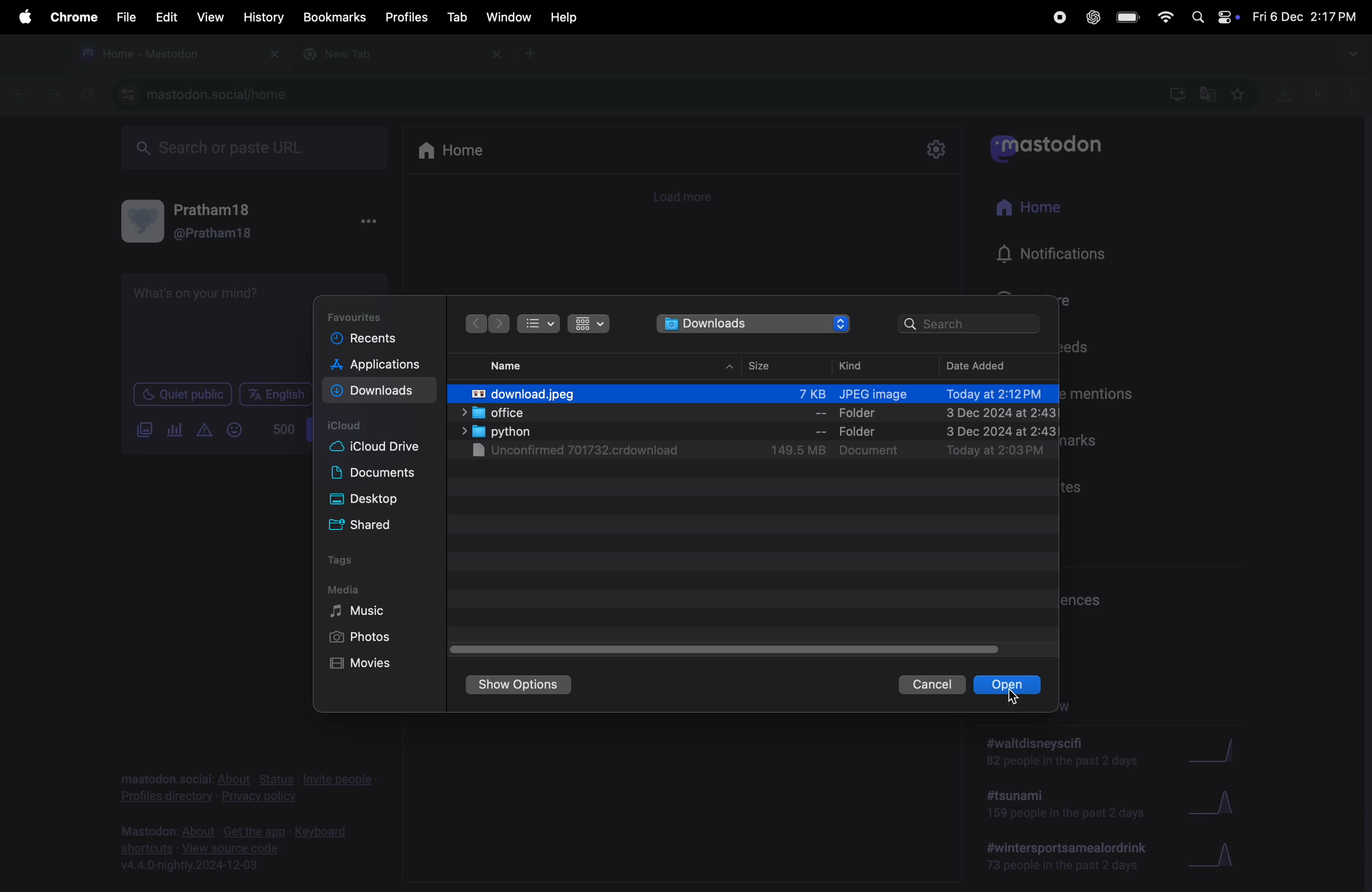 The image size is (1372, 892). I want to click on movies, so click(363, 664).